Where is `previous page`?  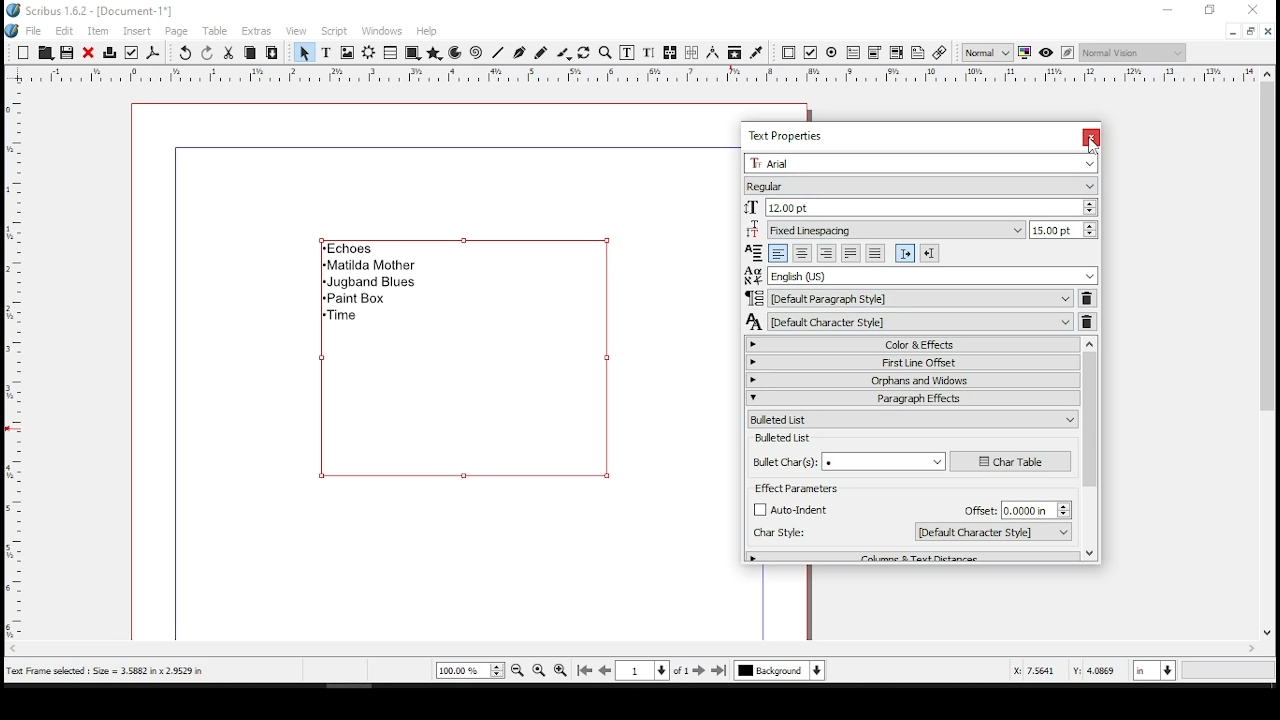
previous page is located at coordinates (606, 670).